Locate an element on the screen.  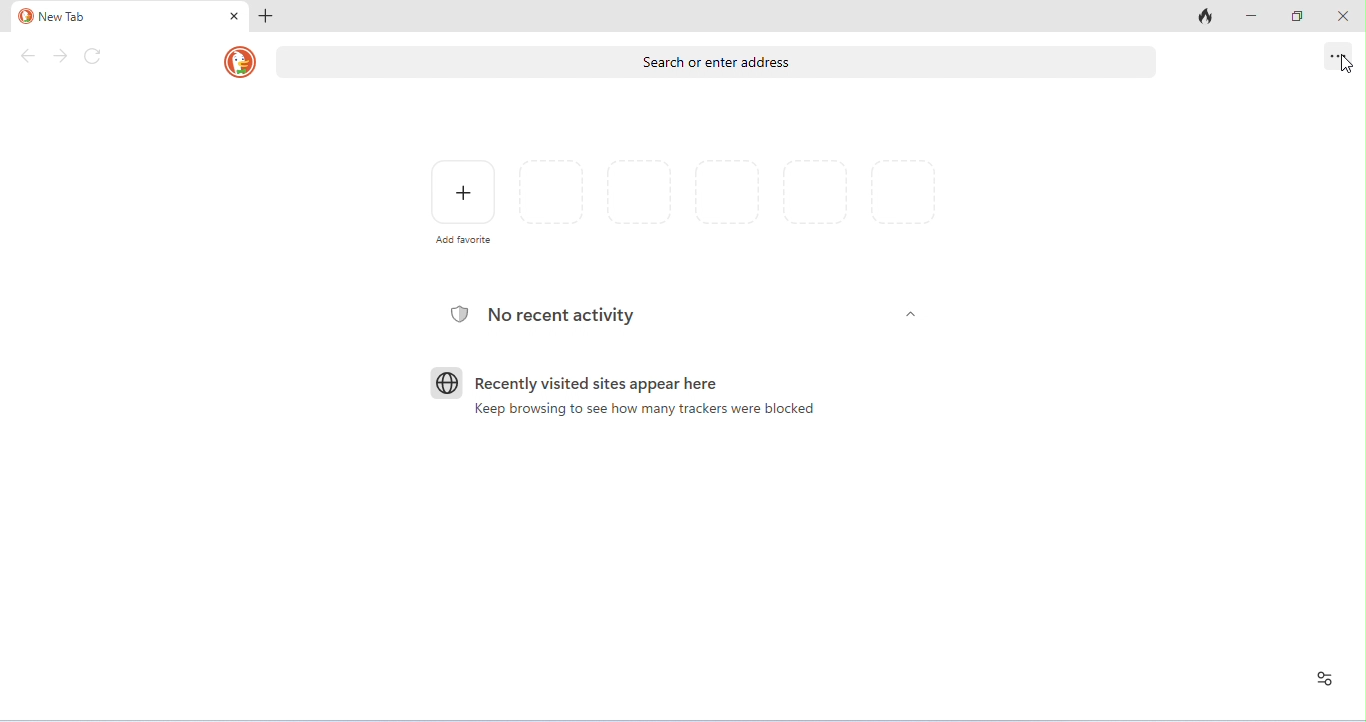
search or enter address is located at coordinates (718, 61).